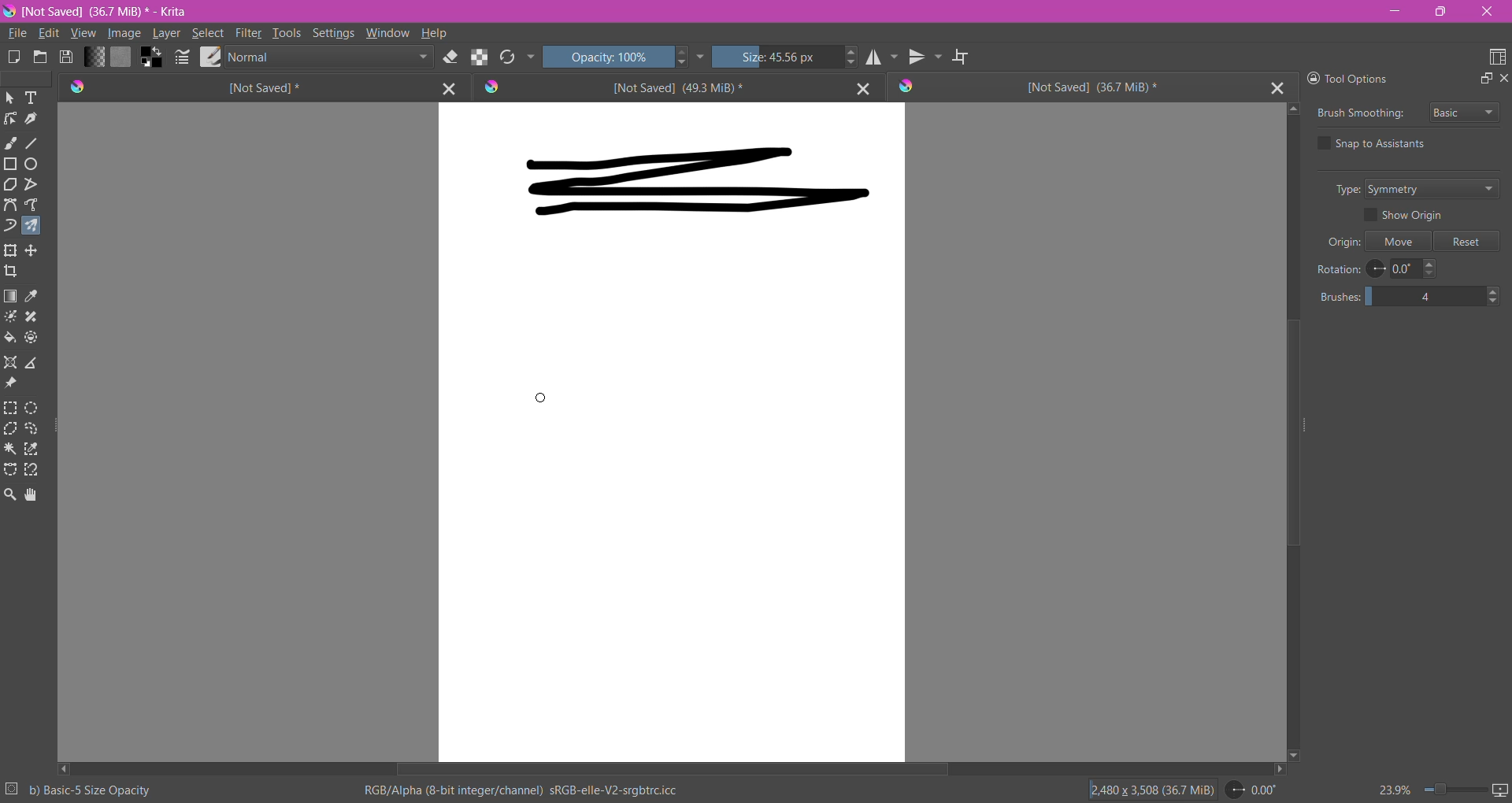 Image resolution: width=1512 pixels, height=803 pixels. Describe the element at coordinates (31, 449) in the screenshot. I see `Similar Color Selection Tool` at that location.